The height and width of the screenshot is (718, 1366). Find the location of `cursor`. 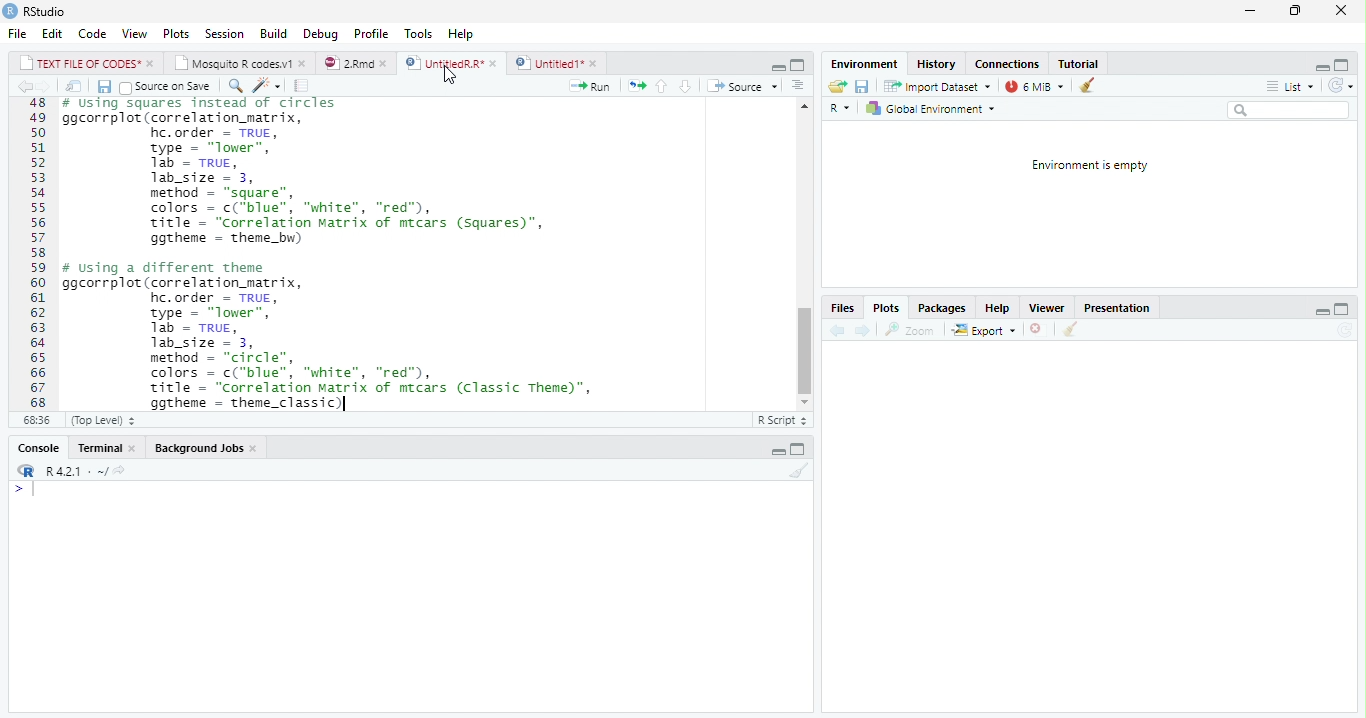

cursor is located at coordinates (449, 75).